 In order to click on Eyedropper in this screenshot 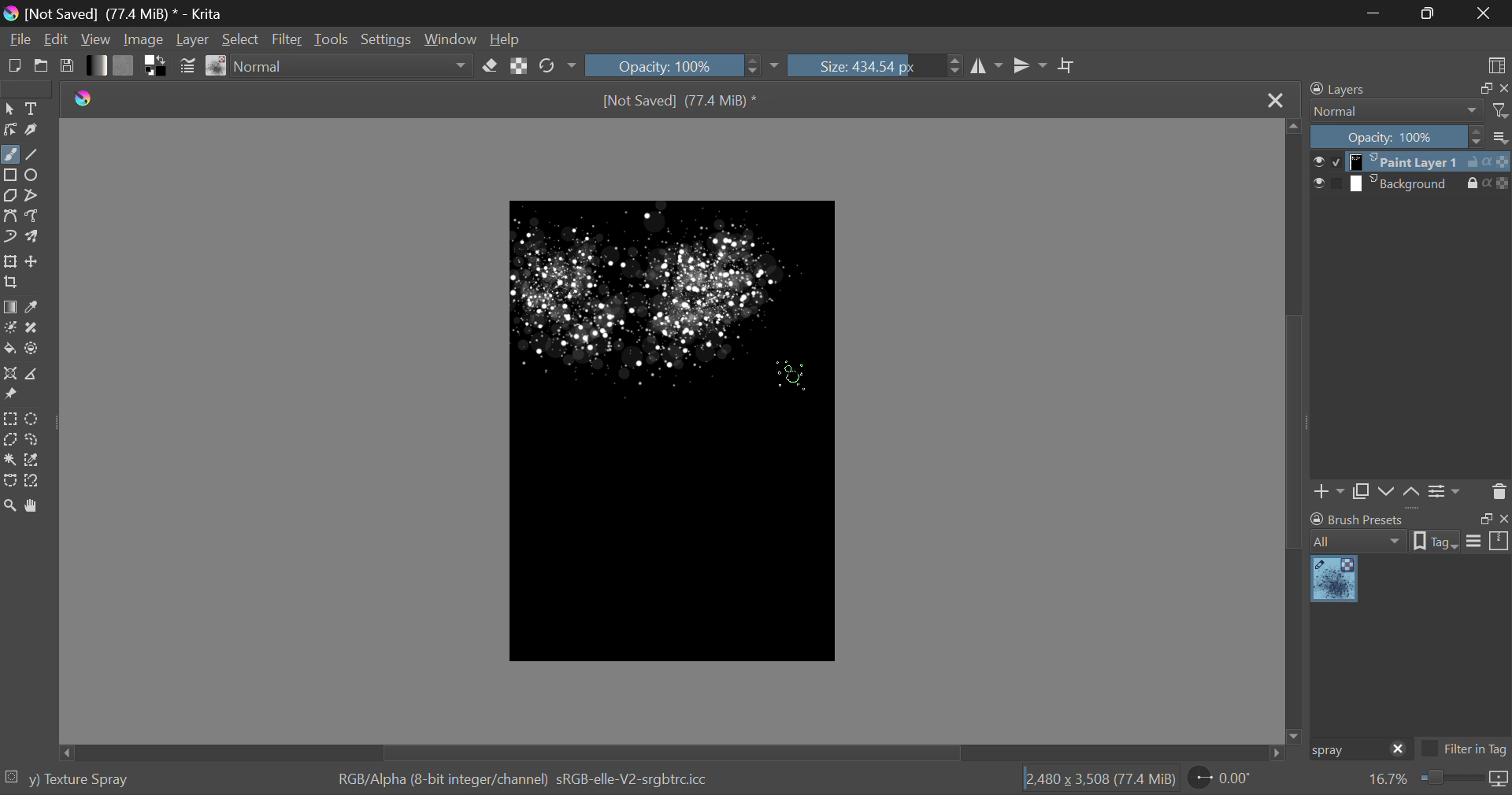, I will do `click(34, 309)`.